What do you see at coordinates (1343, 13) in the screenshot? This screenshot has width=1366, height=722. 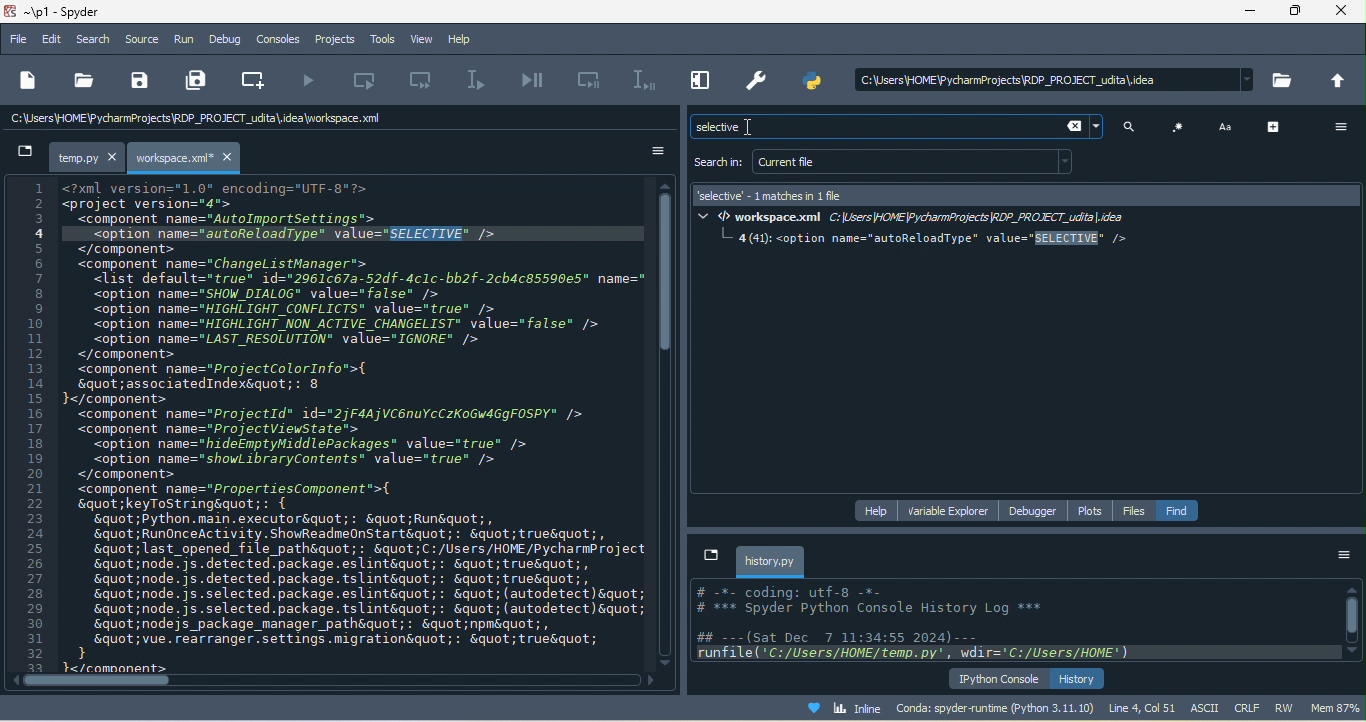 I see `close` at bounding box center [1343, 13].